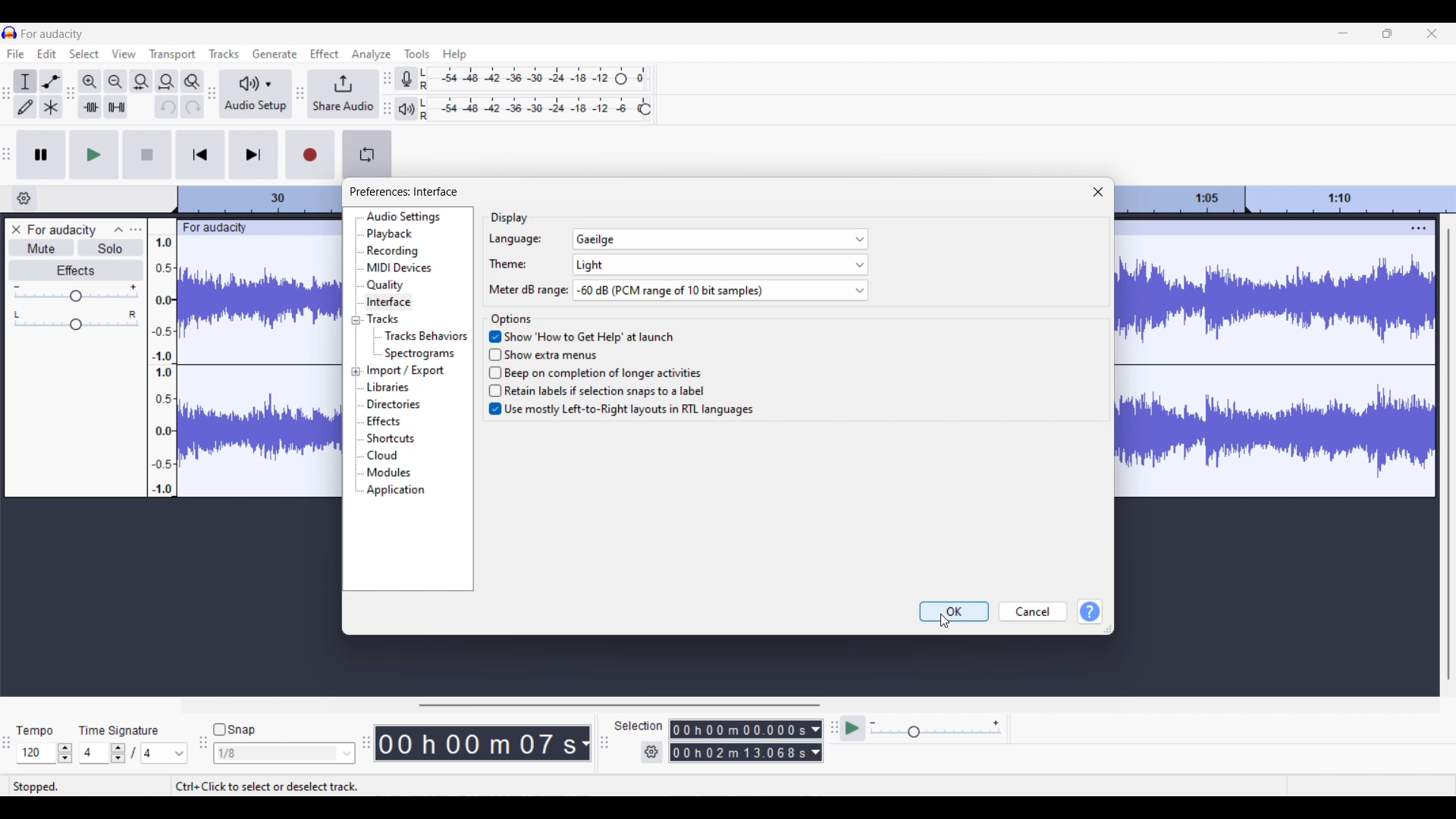 This screenshot has width=1456, height=819. Describe the element at coordinates (256, 93) in the screenshot. I see `Audio setup` at that location.